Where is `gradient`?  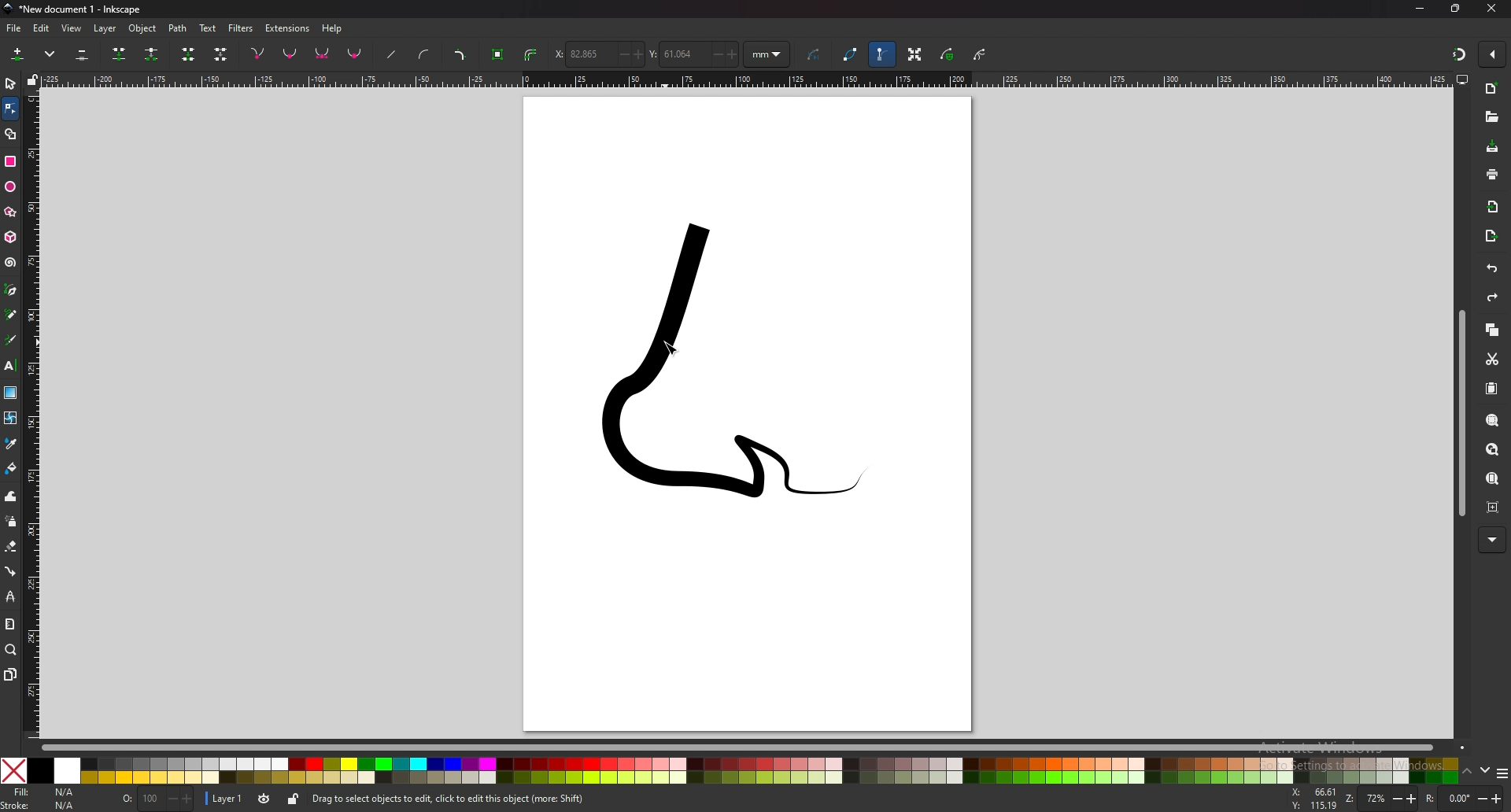 gradient is located at coordinates (10, 393).